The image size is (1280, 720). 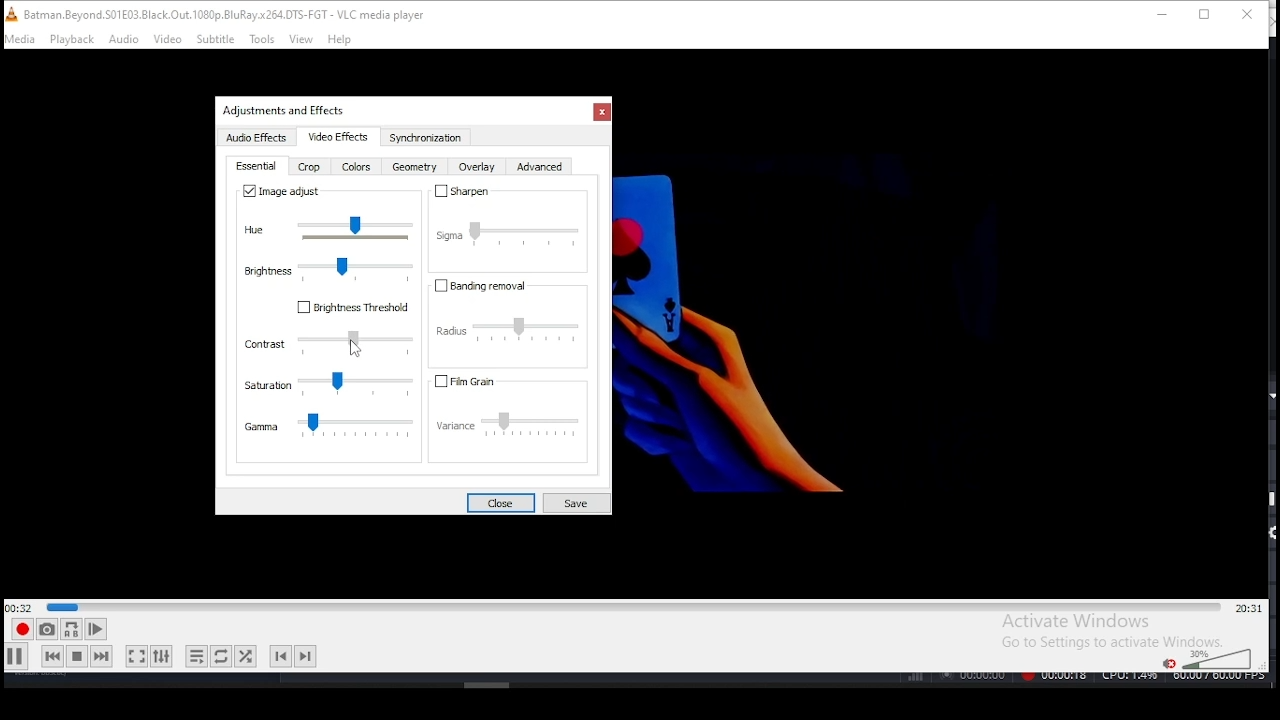 I want to click on essential, so click(x=258, y=167).